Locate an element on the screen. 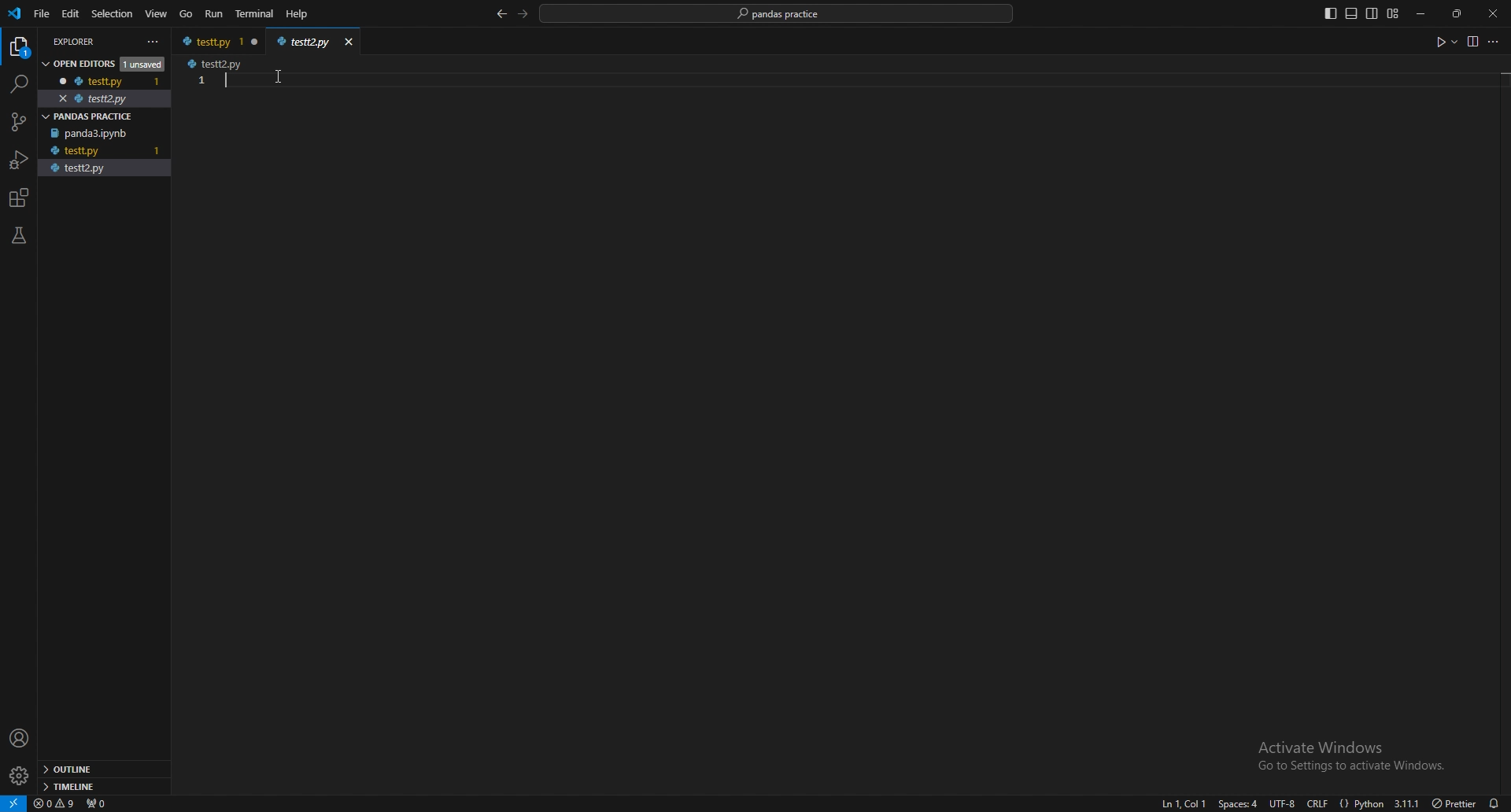 The image size is (1511, 812). ) Prettier is located at coordinates (1454, 802).